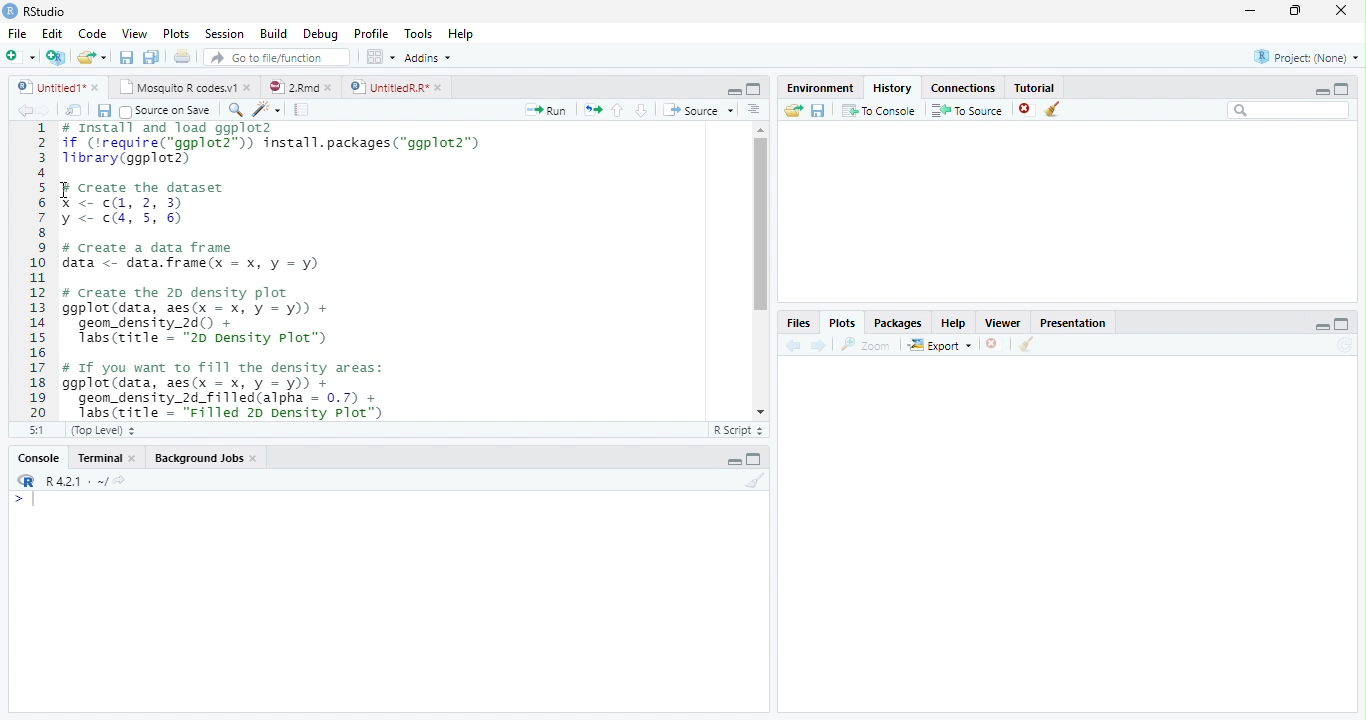 The height and width of the screenshot is (720, 1366). What do you see at coordinates (1249, 12) in the screenshot?
I see `minimize` at bounding box center [1249, 12].